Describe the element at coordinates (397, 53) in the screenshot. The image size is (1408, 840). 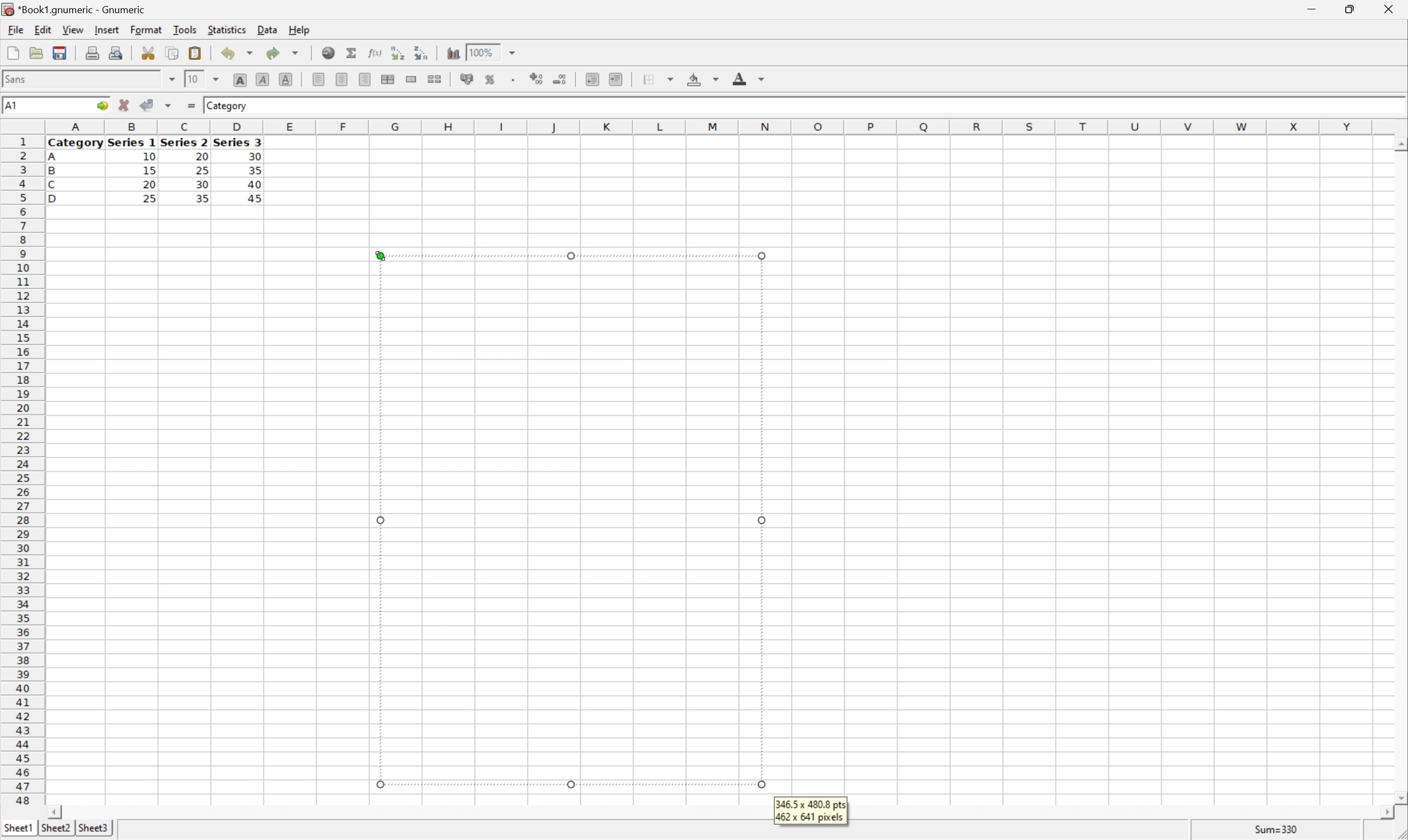
I see `Sort the selected region in ascending order based on the first column selected` at that location.